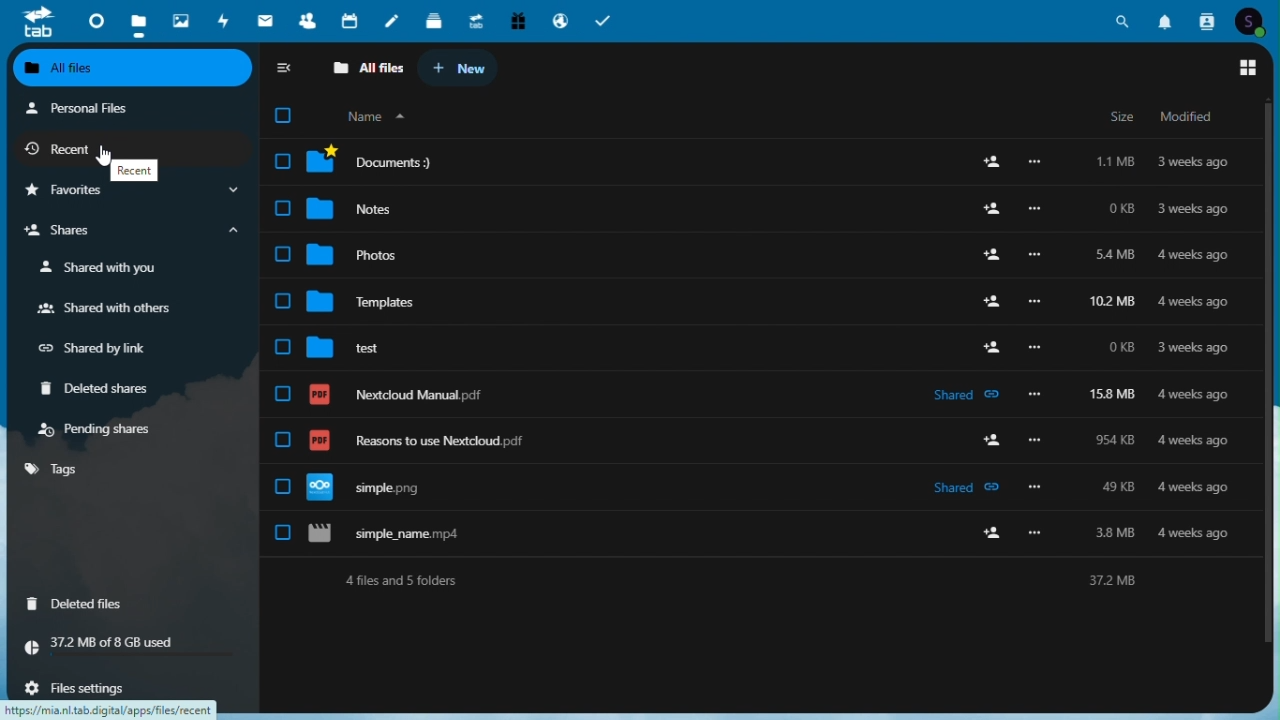 This screenshot has height=720, width=1280. I want to click on Photos, so click(181, 20).